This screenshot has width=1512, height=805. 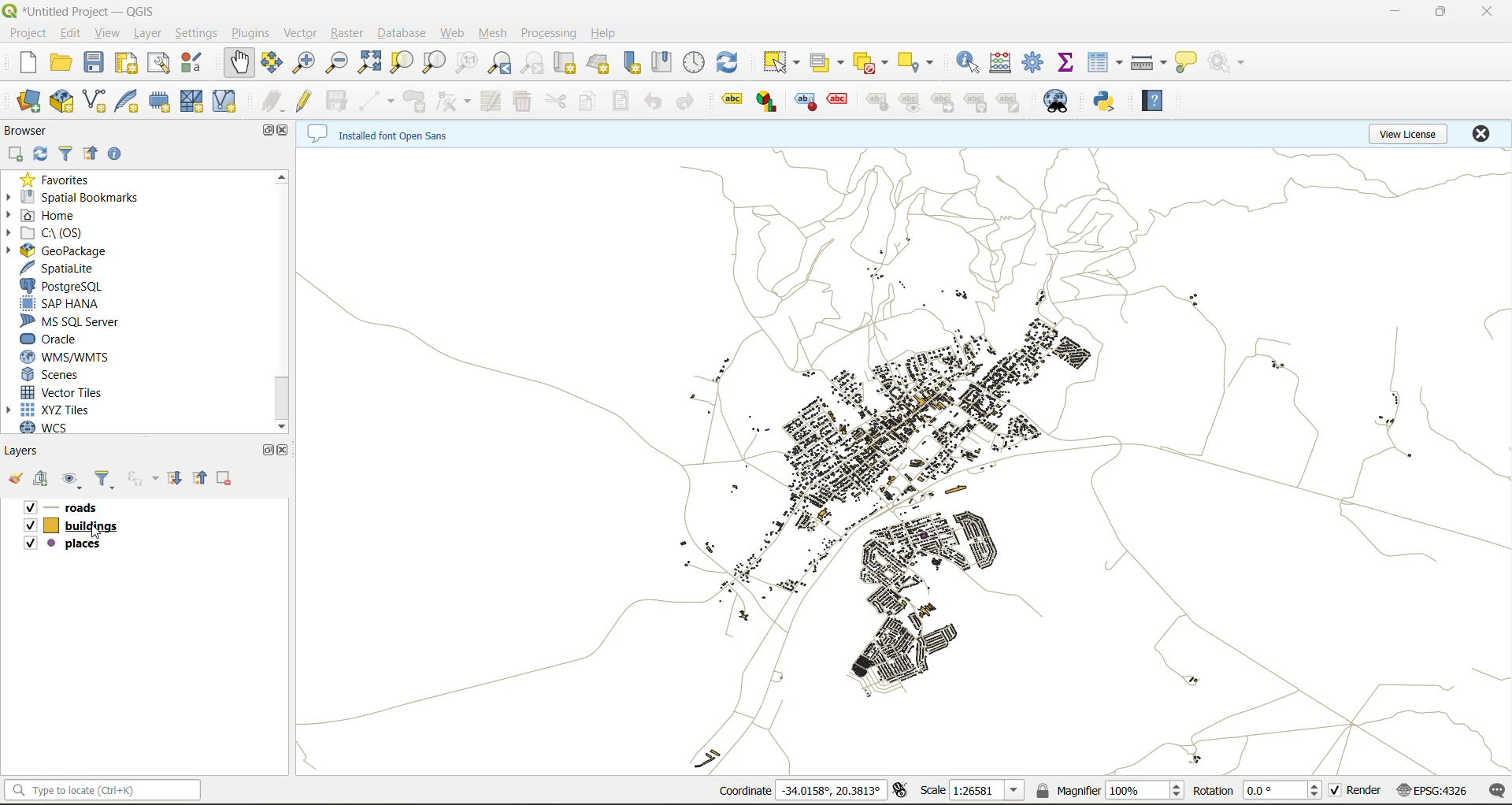 I want to click on help, so click(x=1152, y=102).